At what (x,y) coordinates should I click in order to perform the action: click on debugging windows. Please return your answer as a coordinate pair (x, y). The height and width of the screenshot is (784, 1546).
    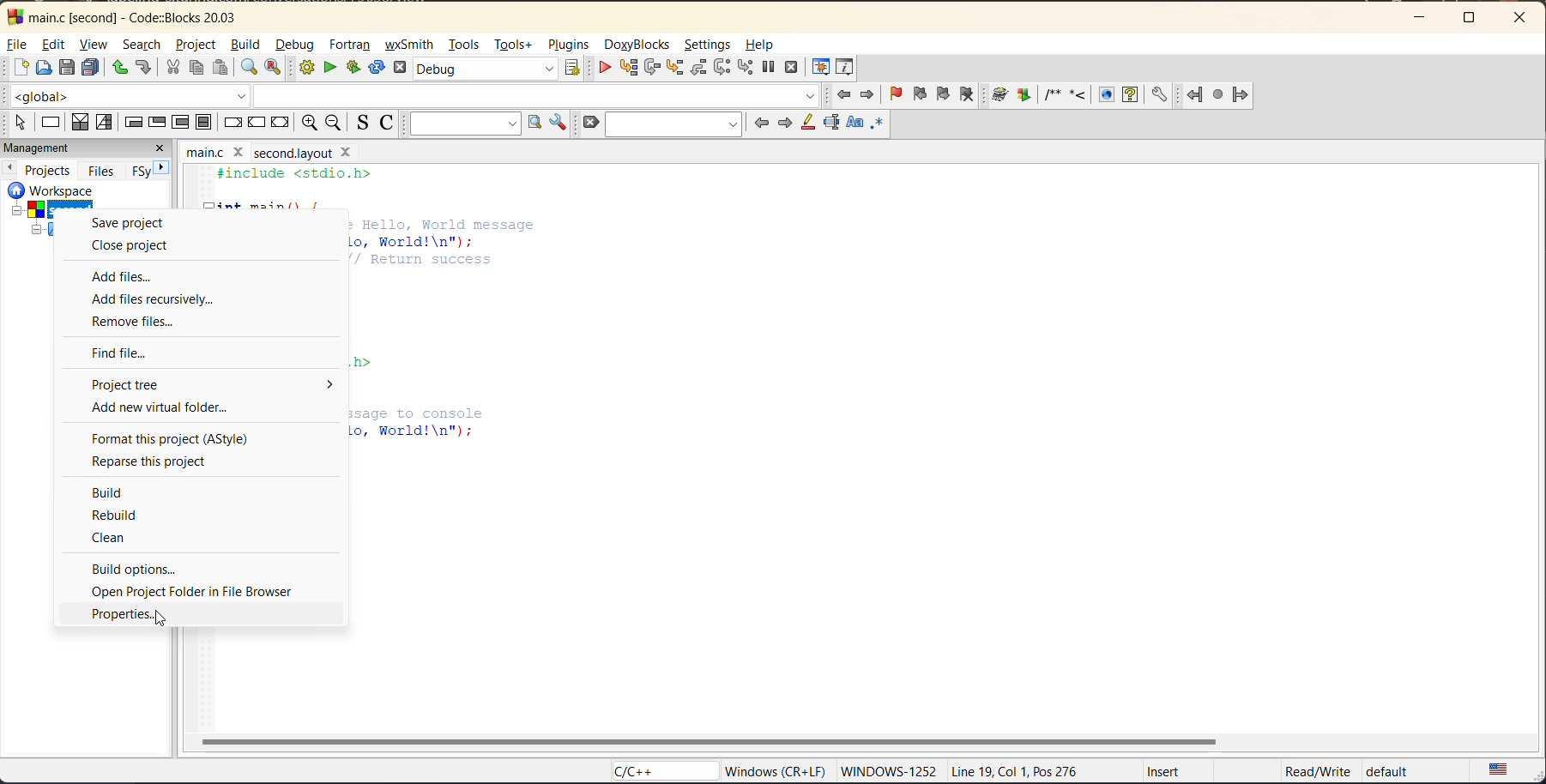
    Looking at the image, I should click on (819, 69).